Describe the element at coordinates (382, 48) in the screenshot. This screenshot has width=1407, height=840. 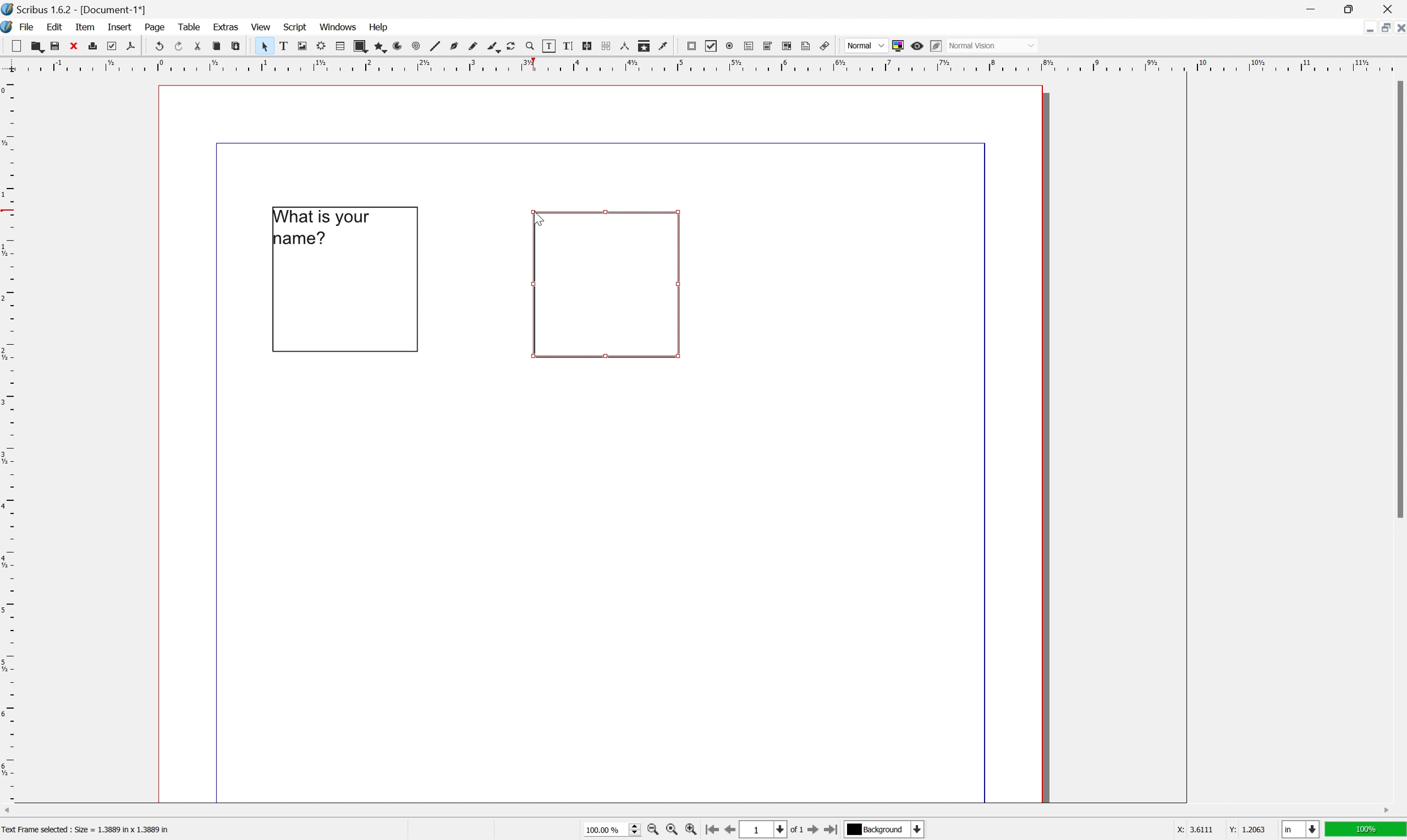
I see `polygon` at that location.